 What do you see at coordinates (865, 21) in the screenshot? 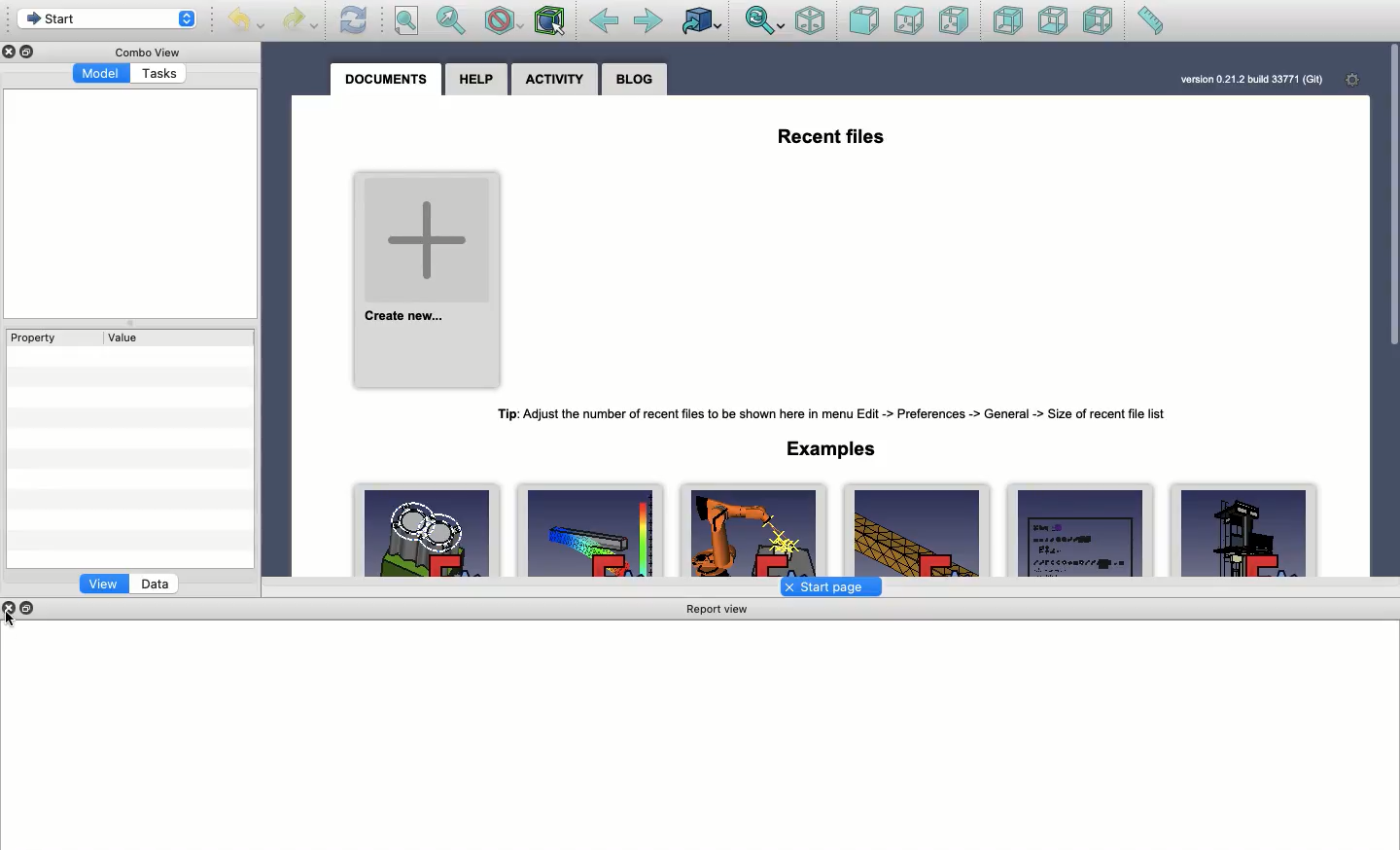
I see `Front` at bounding box center [865, 21].